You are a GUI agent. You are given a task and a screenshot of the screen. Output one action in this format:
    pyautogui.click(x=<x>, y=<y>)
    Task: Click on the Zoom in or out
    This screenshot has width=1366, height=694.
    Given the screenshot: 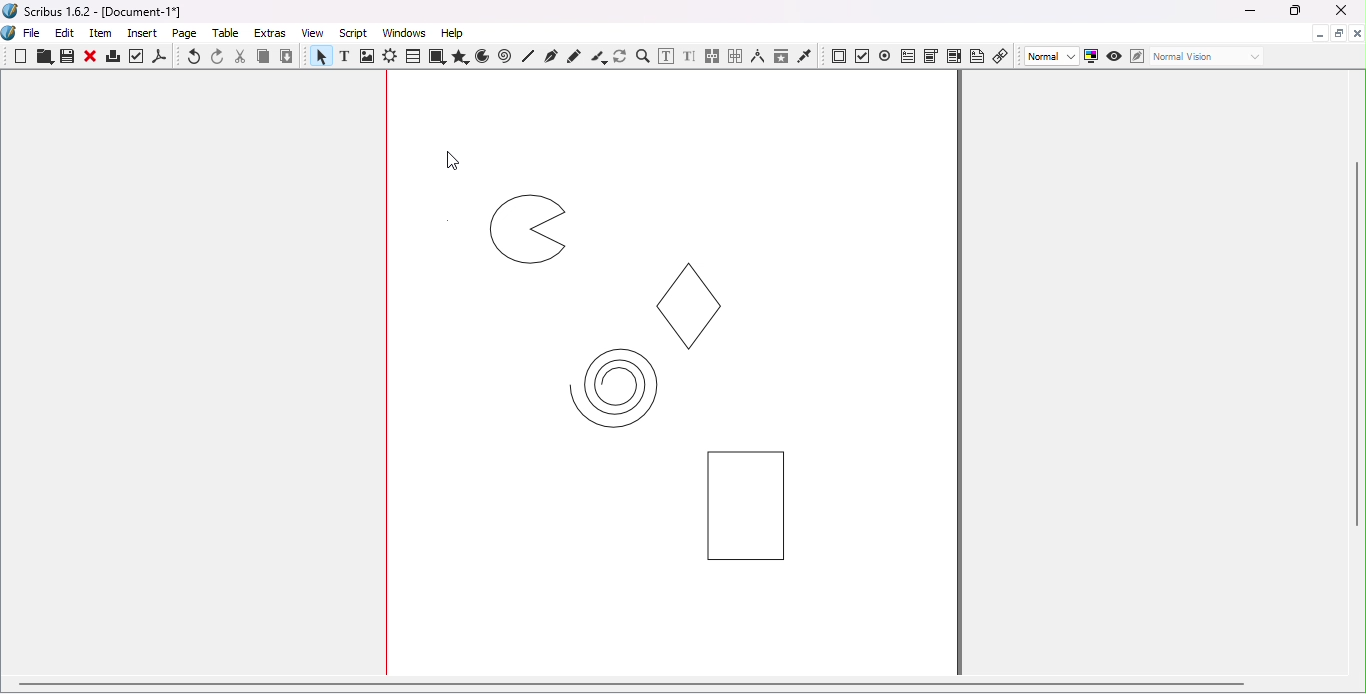 What is the action you would take?
    pyautogui.click(x=642, y=56)
    